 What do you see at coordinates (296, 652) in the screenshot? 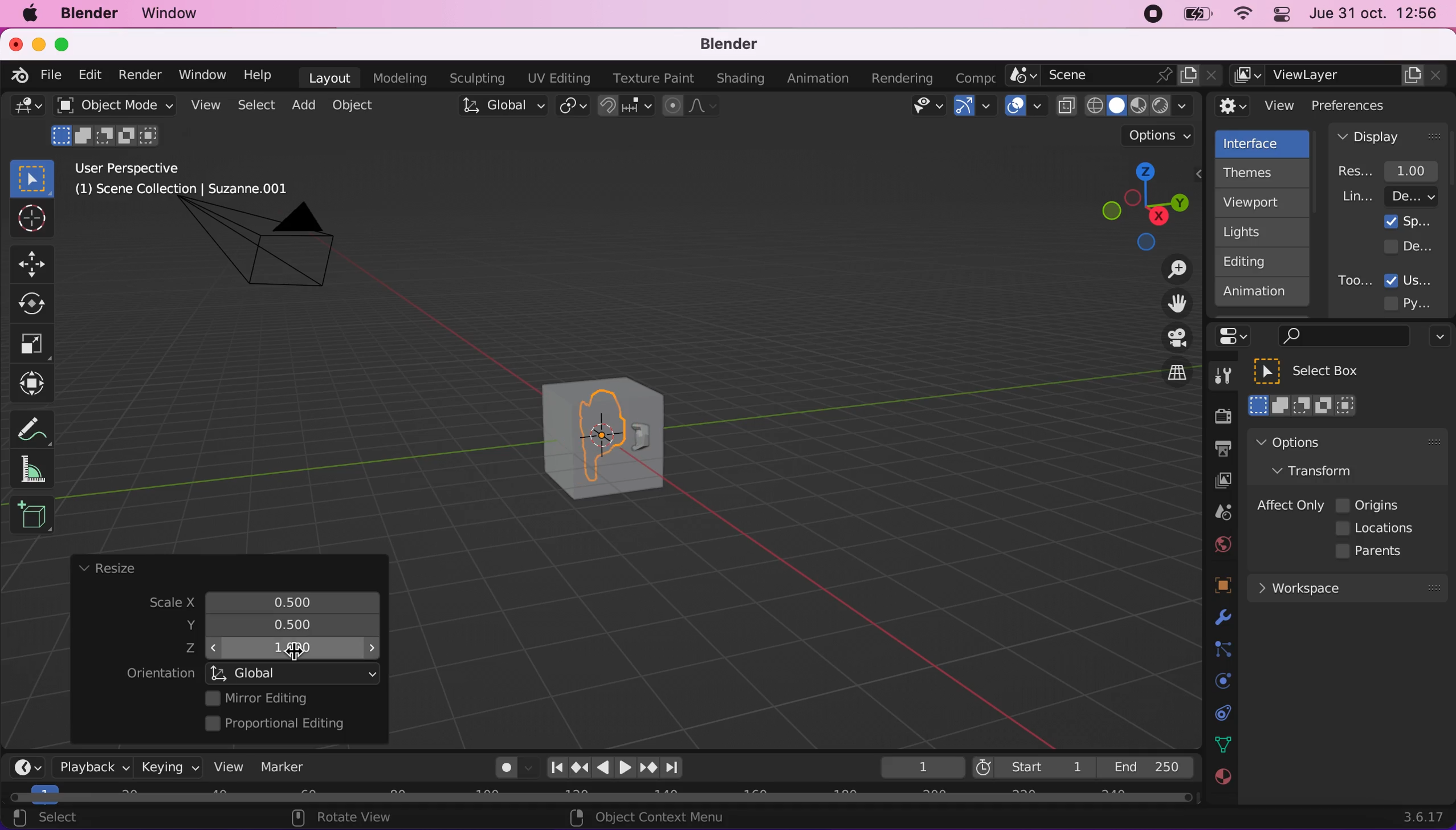
I see `cursor` at bounding box center [296, 652].